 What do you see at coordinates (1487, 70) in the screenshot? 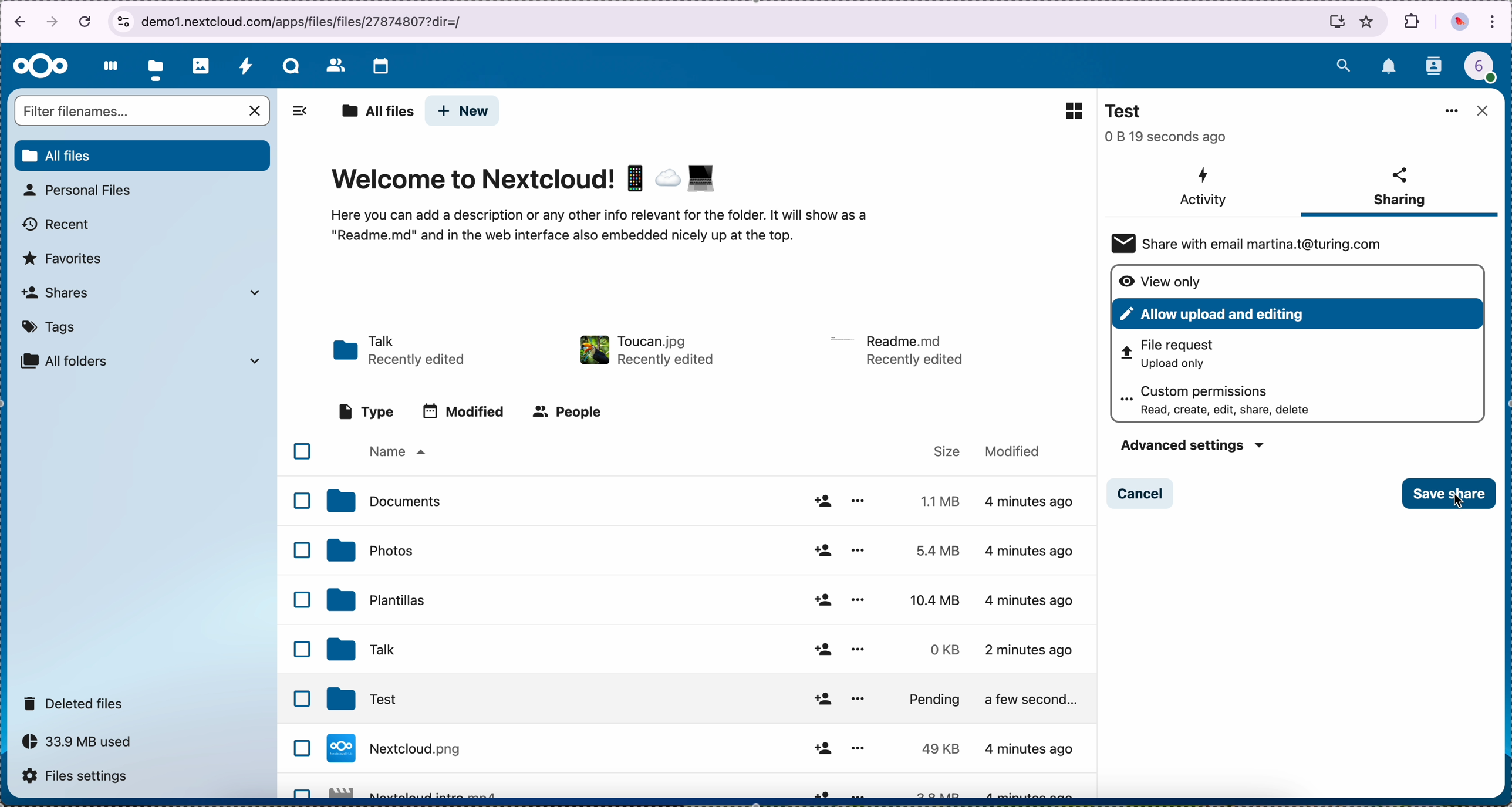
I see `profile` at bounding box center [1487, 70].